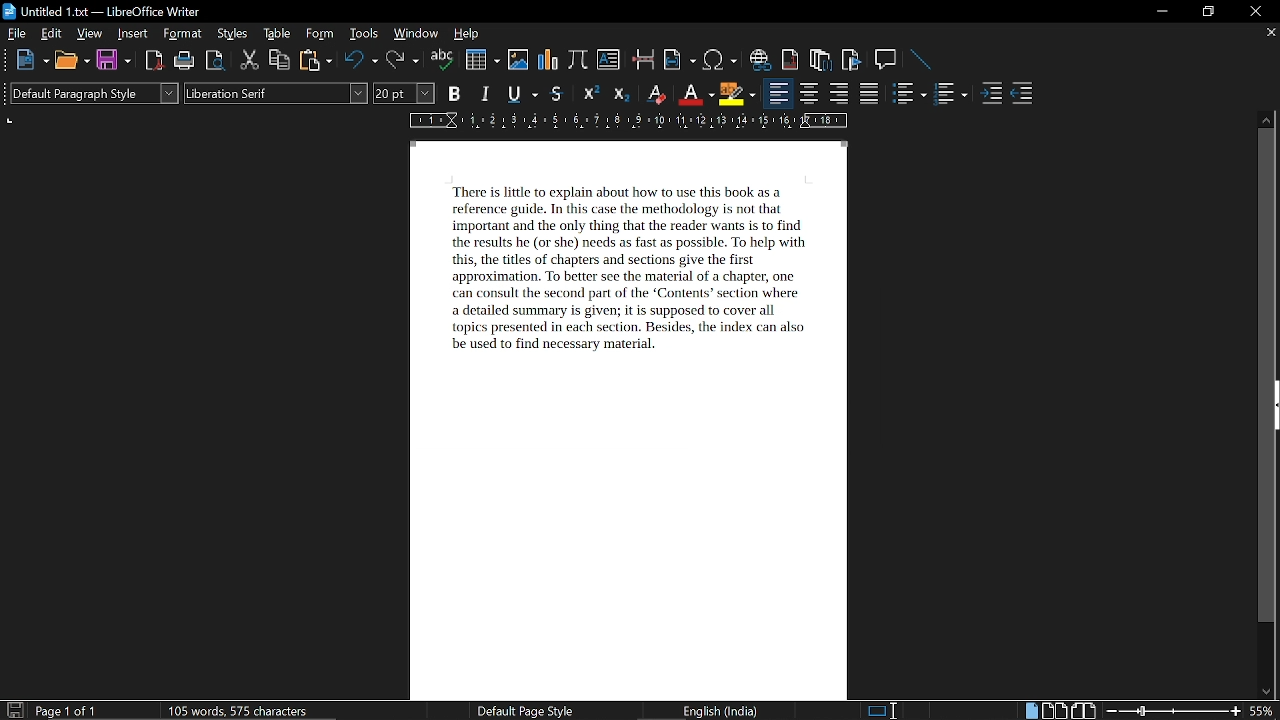  What do you see at coordinates (361, 61) in the screenshot?
I see `undo` at bounding box center [361, 61].